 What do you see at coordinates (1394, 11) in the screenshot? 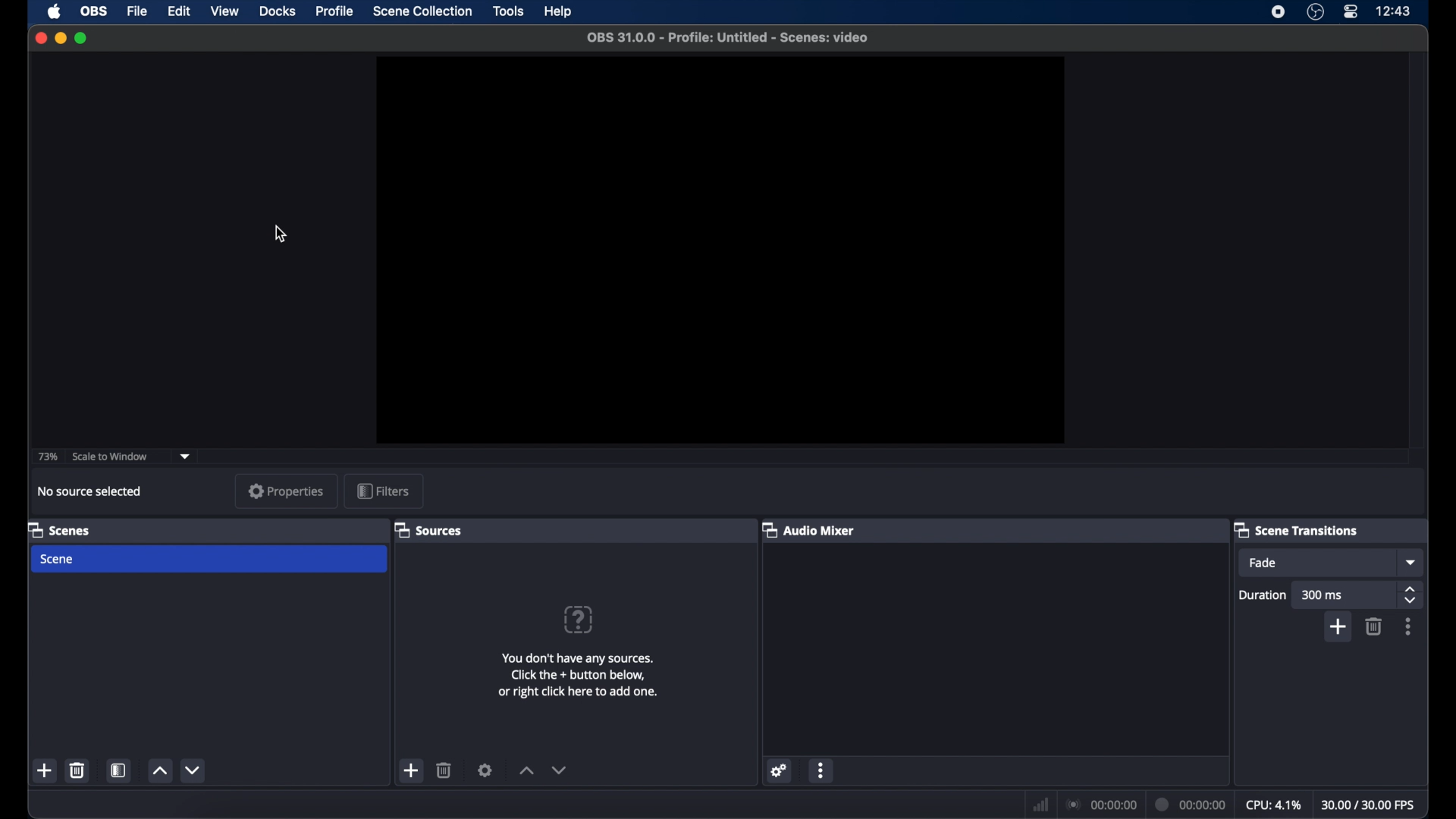
I see `time` at bounding box center [1394, 11].